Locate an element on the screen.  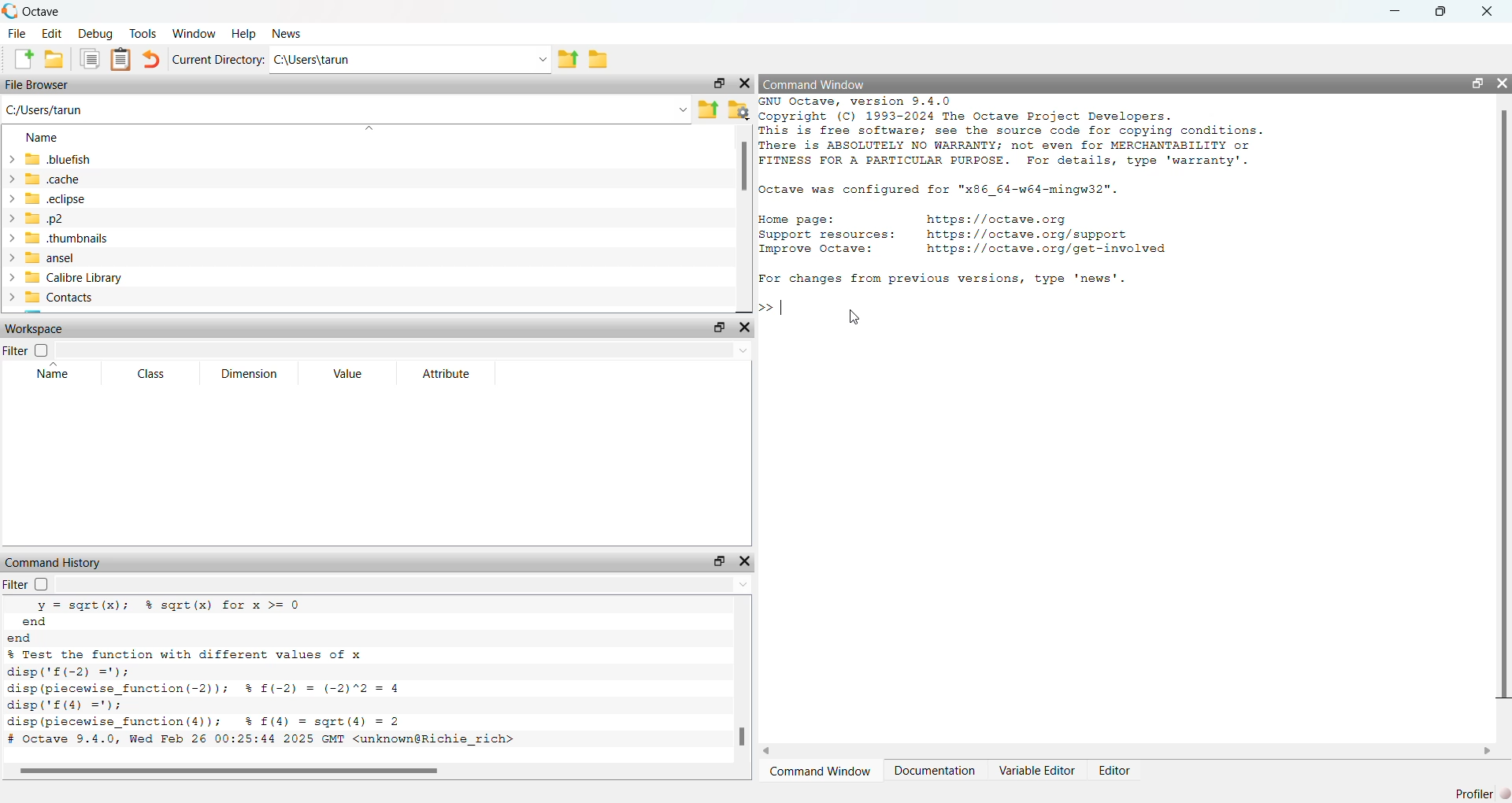
Left is located at coordinates (770, 749).